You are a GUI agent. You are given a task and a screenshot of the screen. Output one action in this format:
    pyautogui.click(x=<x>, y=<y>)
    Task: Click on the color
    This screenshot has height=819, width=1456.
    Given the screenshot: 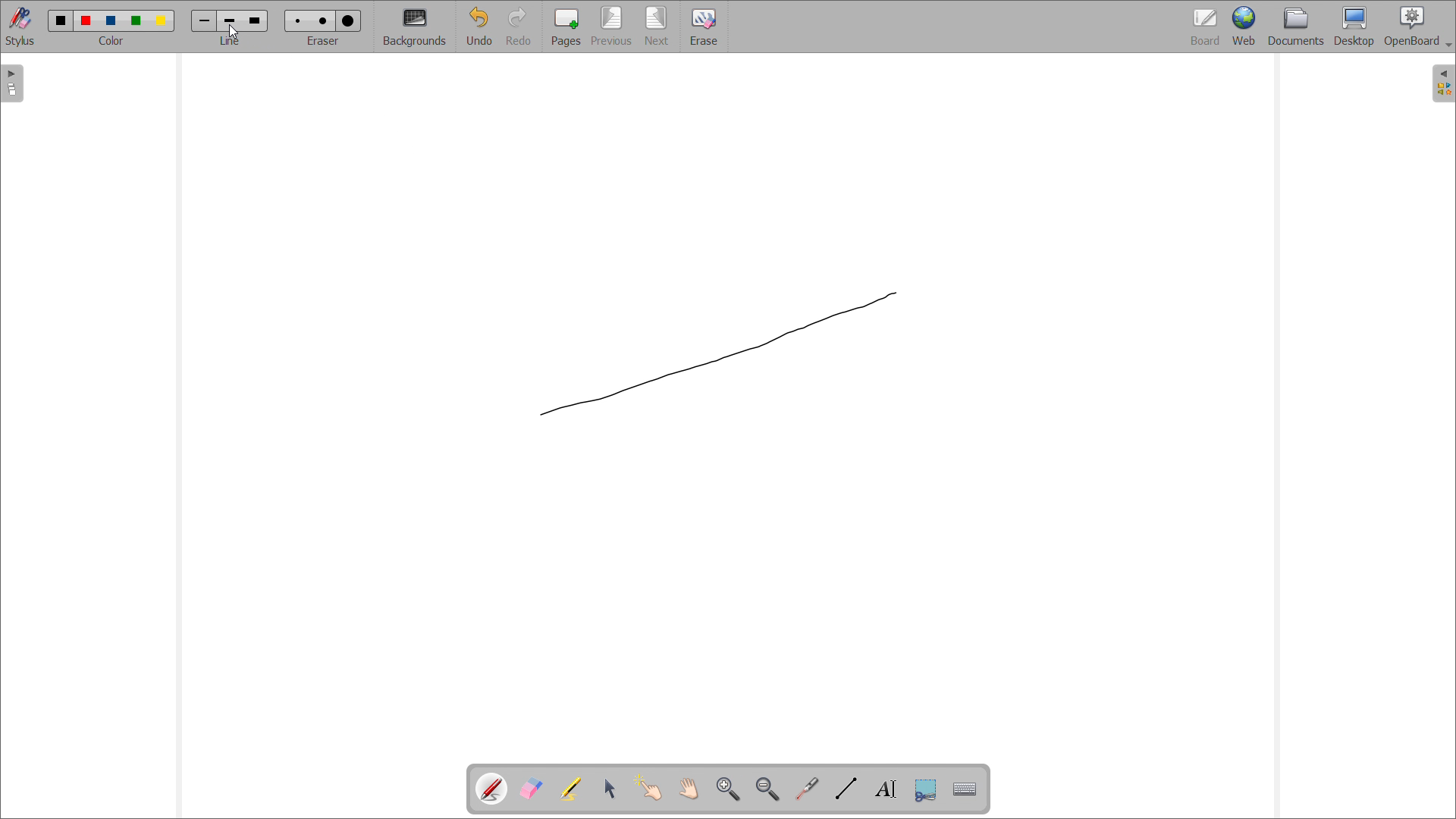 What is the action you would take?
    pyautogui.click(x=114, y=20)
    